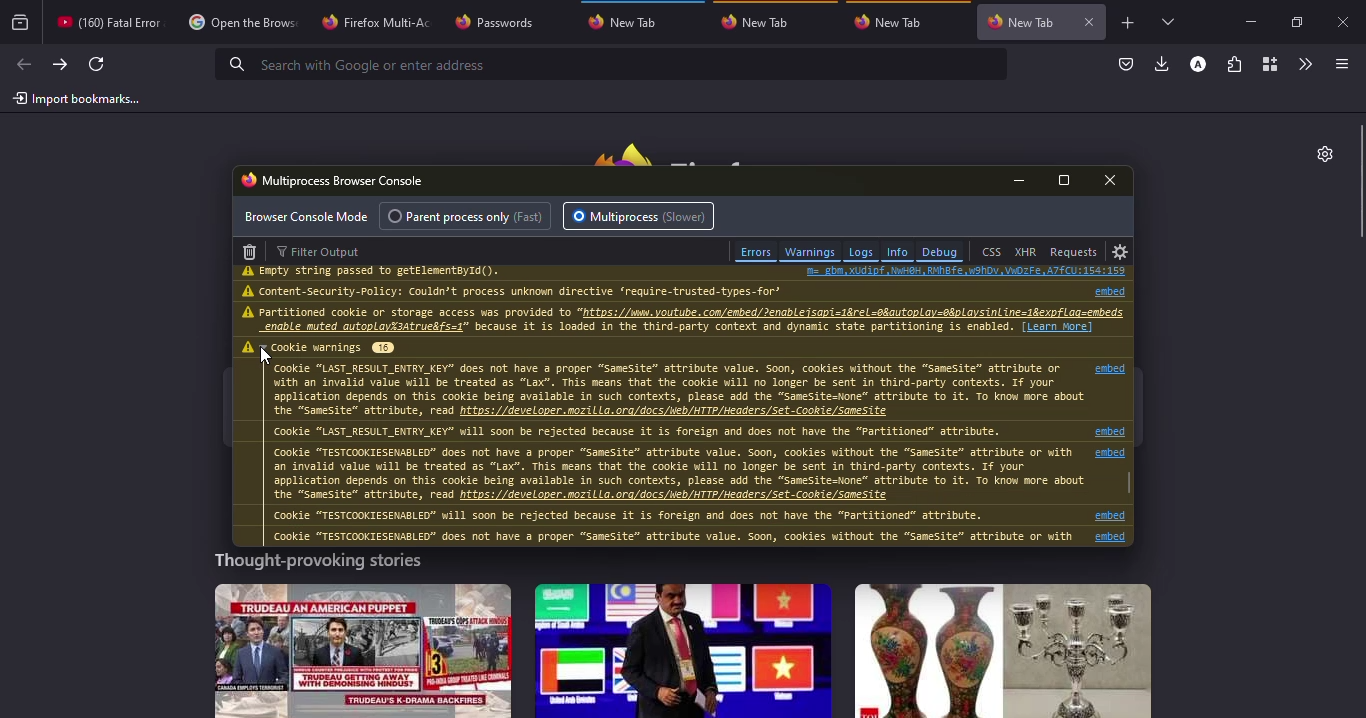 This screenshot has width=1366, height=718. What do you see at coordinates (1161, 65) in the screenshot?
I see `downloads` at bounding box center [1161, 65].